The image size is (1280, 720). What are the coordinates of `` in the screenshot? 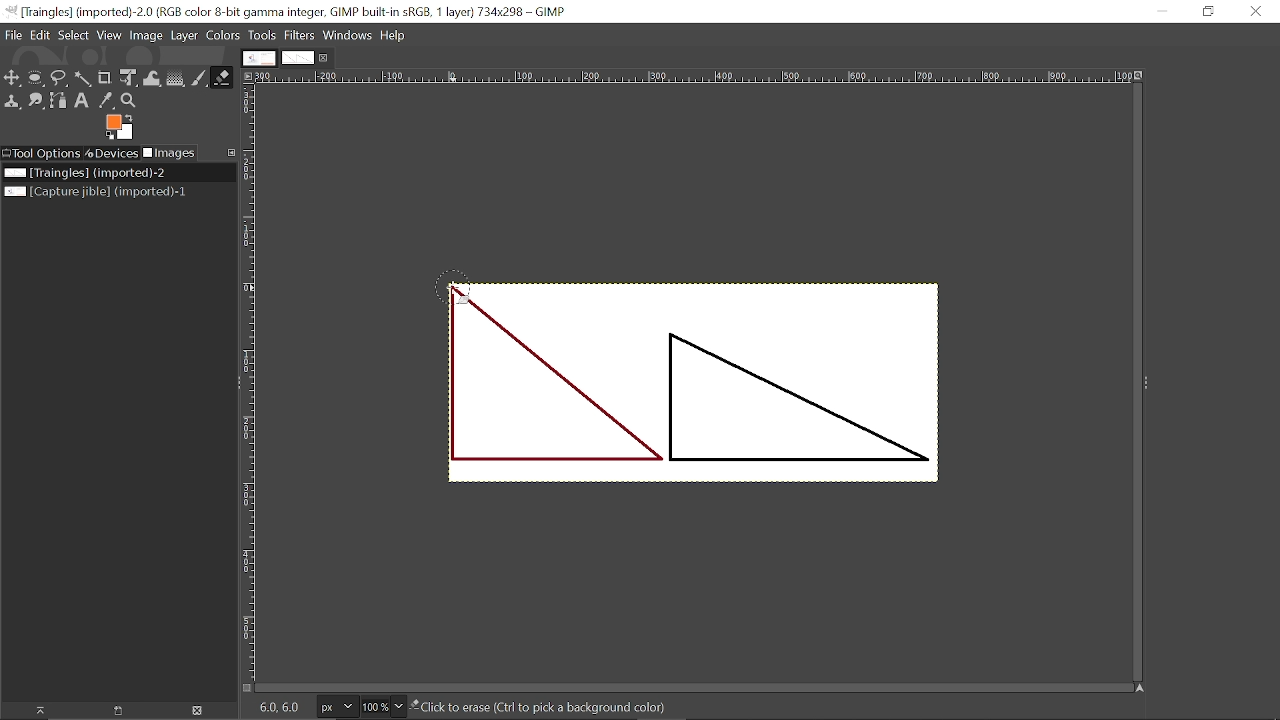 It's located at (261, 36).